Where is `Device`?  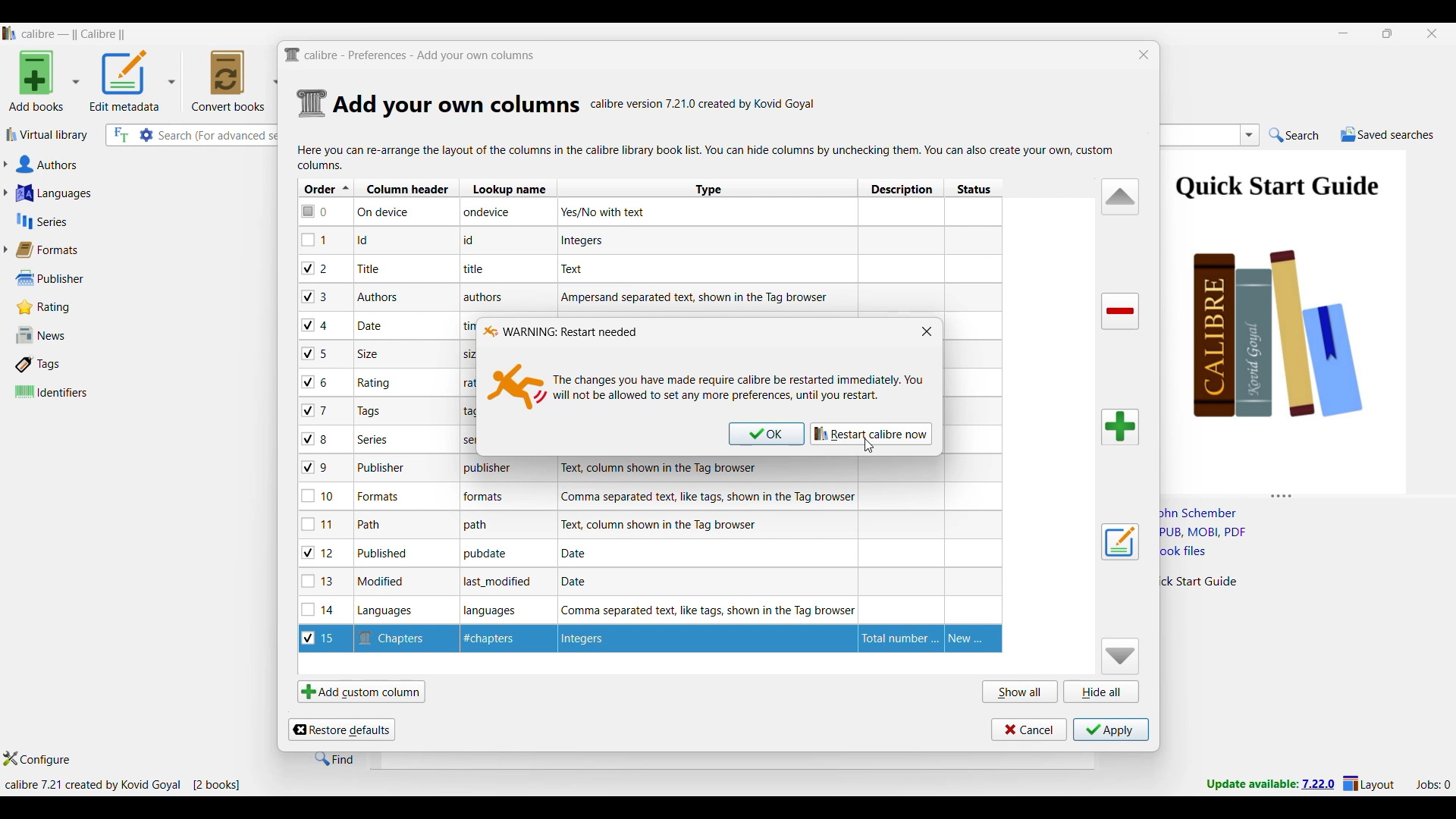
Device is located at coordinates (395, 213).